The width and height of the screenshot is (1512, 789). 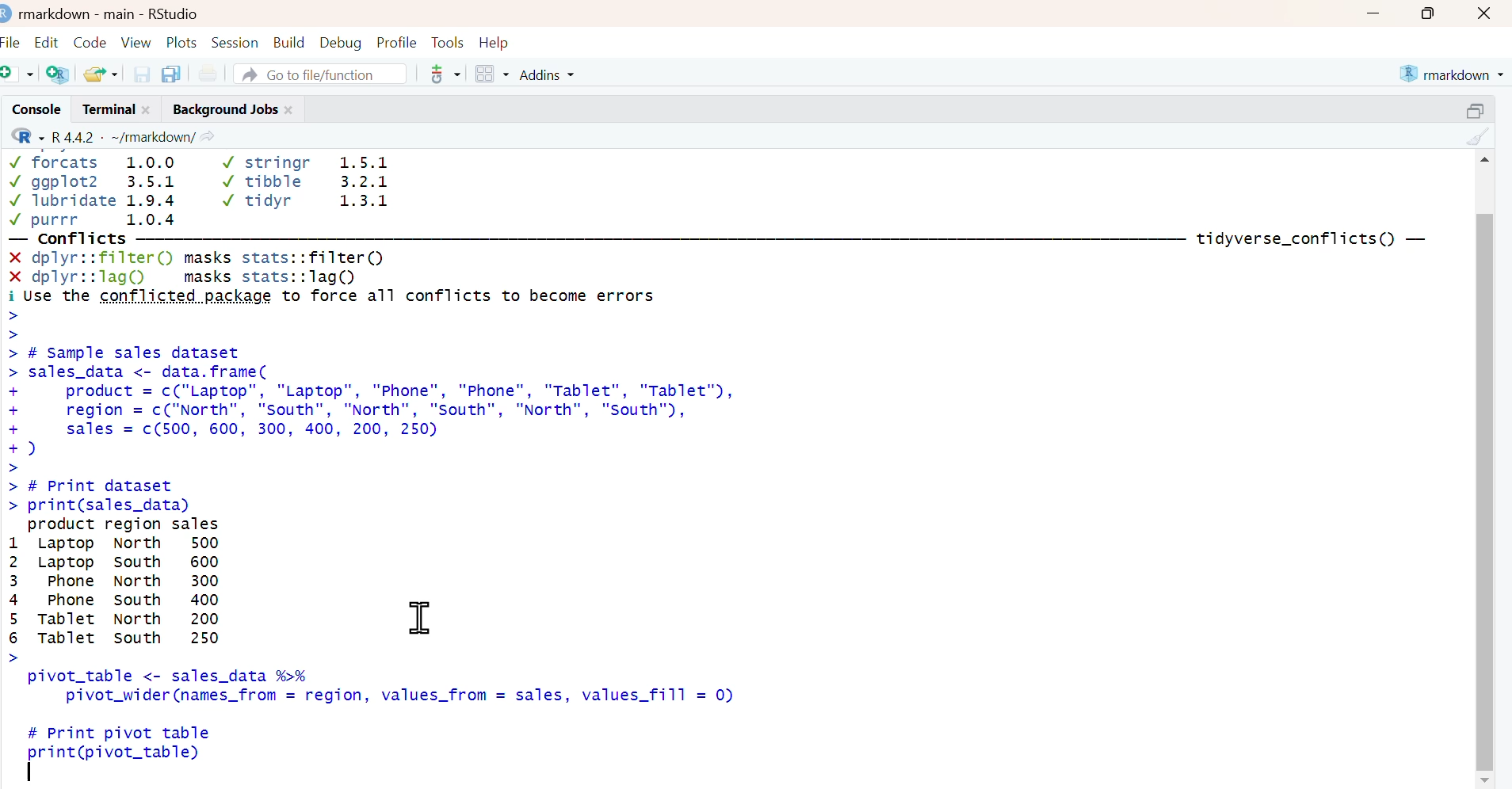 I want to click on Debug, so click(x=341, y=40).